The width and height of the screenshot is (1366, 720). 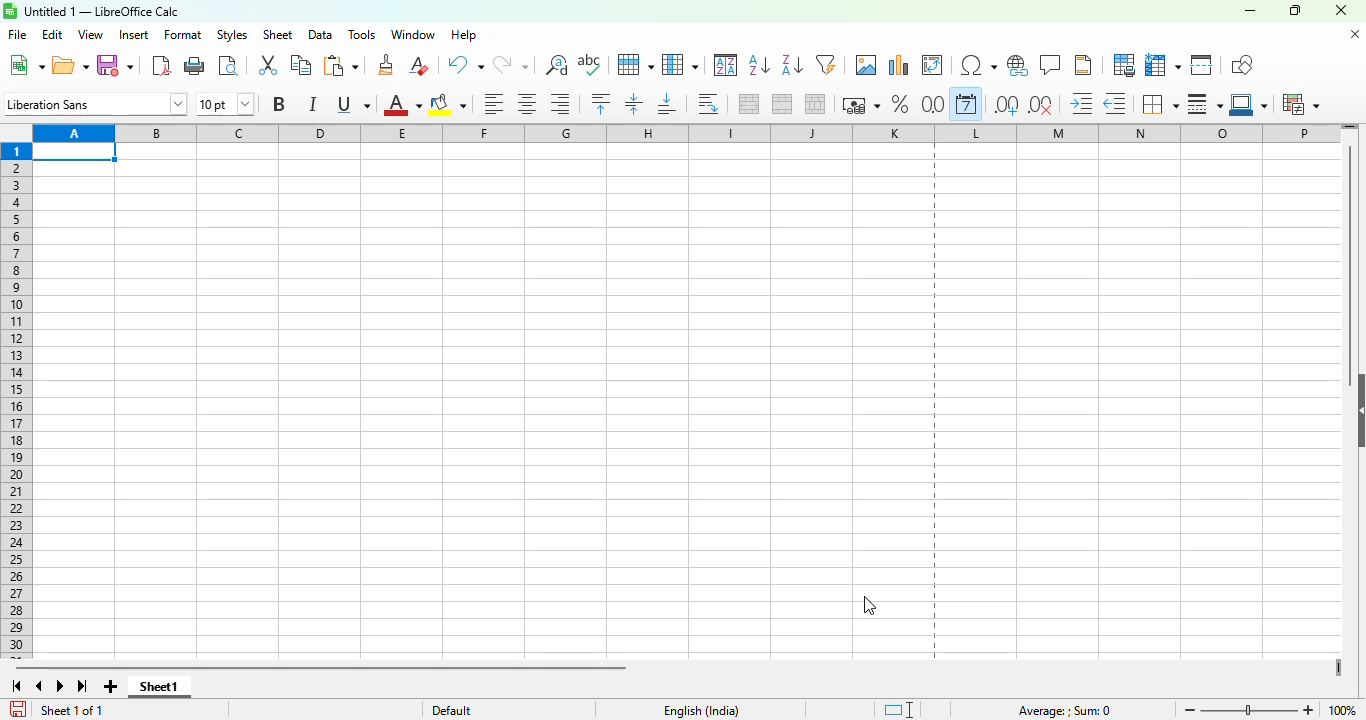 I want to click on decrease indent, so click(x=1115, y=104).